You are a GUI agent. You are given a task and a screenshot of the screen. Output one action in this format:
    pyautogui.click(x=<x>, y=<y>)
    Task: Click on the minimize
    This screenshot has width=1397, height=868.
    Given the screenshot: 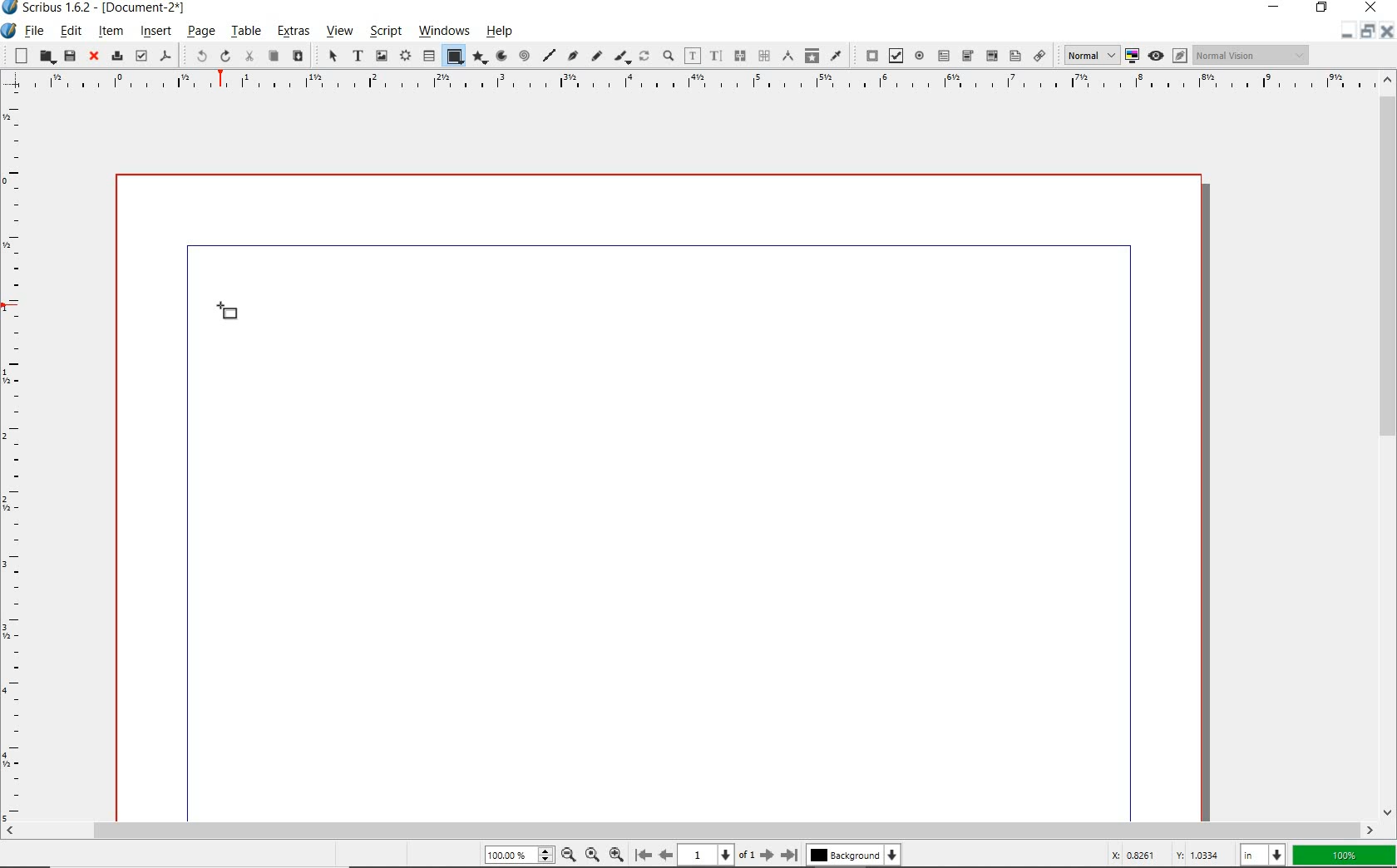 What is the action you would take?
    pyautogui.click(x=1345, y=36)
    